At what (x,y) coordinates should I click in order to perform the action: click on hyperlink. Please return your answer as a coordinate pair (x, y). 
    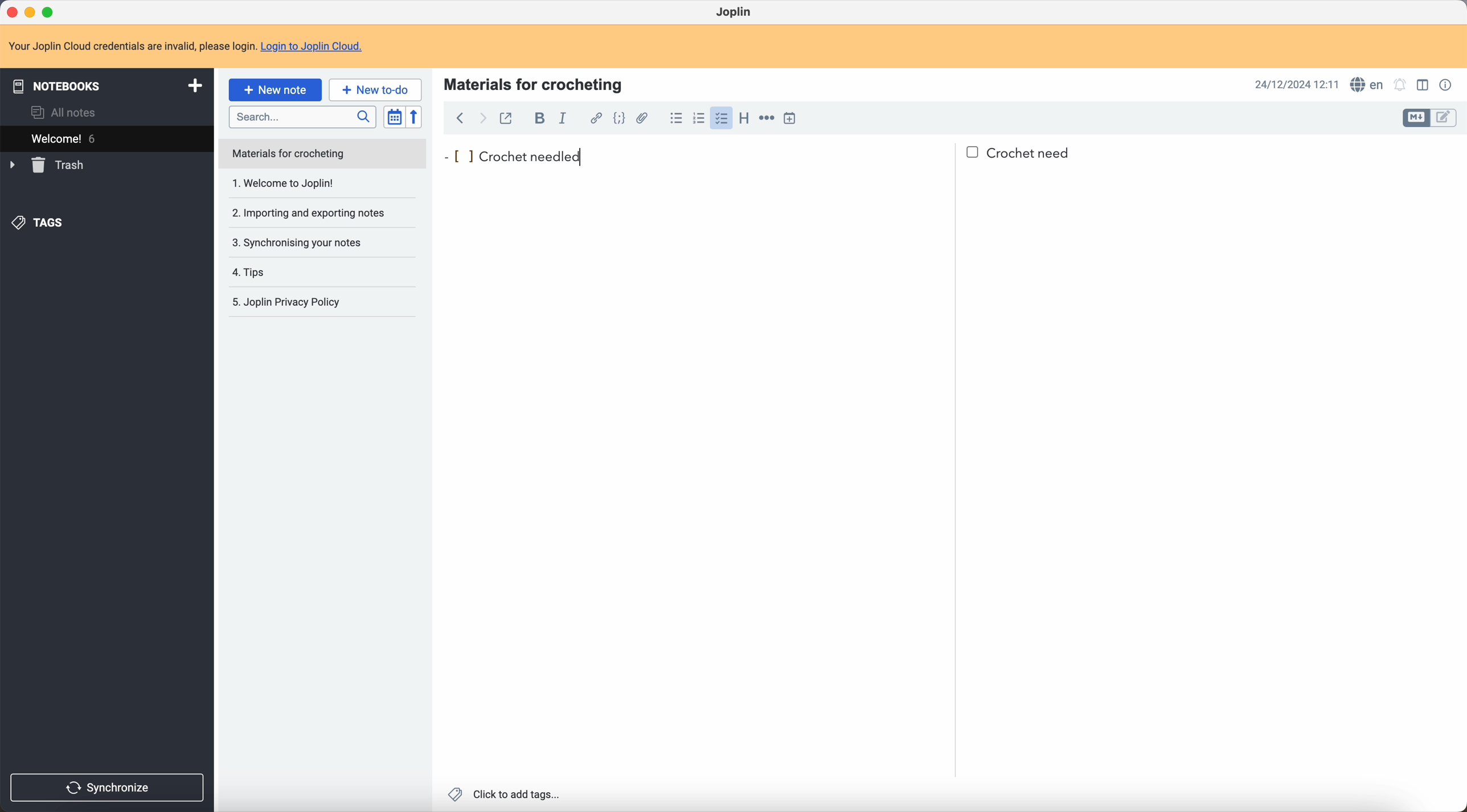
    Looking at the image, I should click on (593, 118).